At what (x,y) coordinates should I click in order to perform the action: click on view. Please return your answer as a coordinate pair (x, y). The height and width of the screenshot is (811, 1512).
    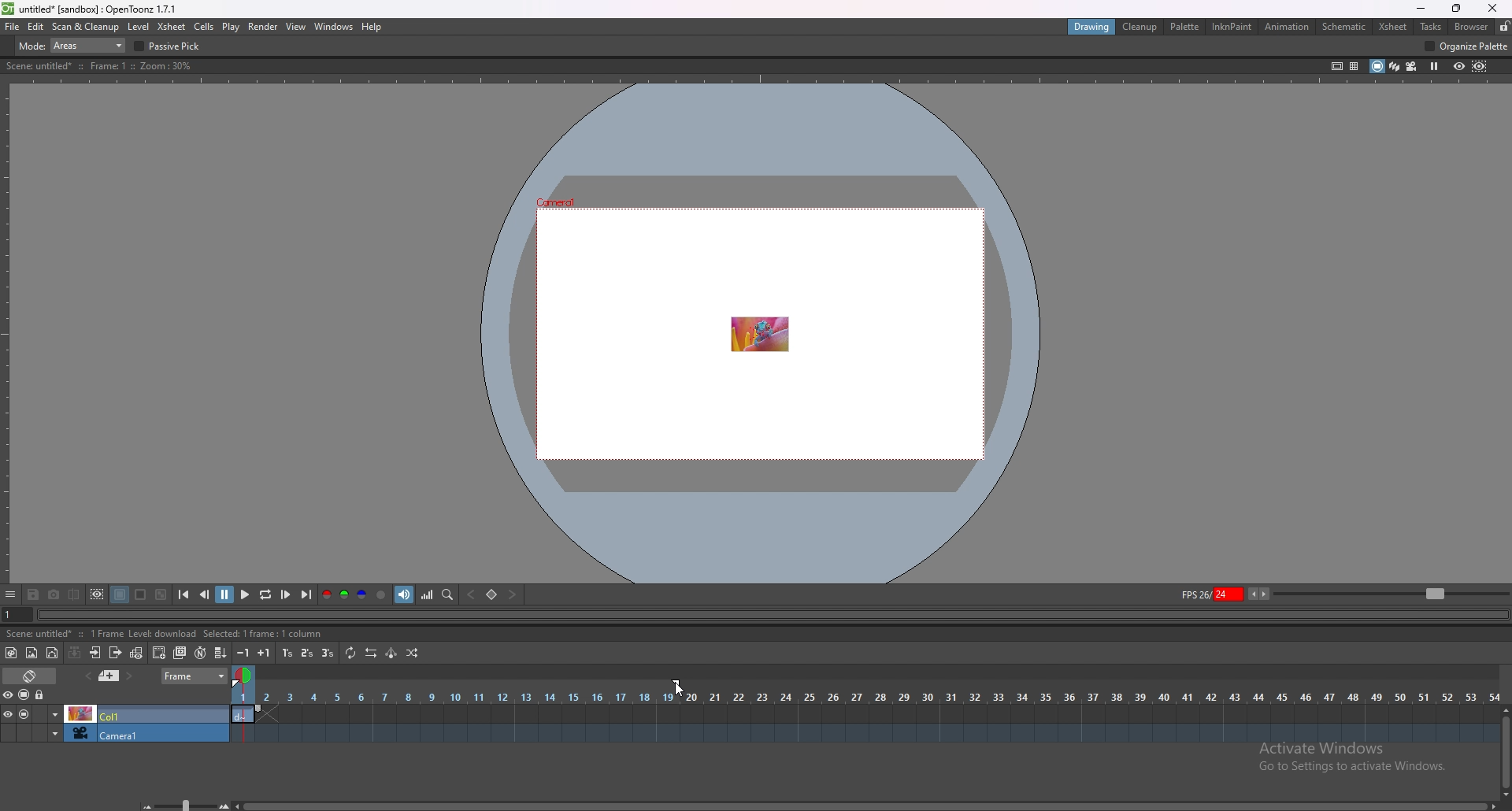
    Looking at the image, I should click on (297, 27).